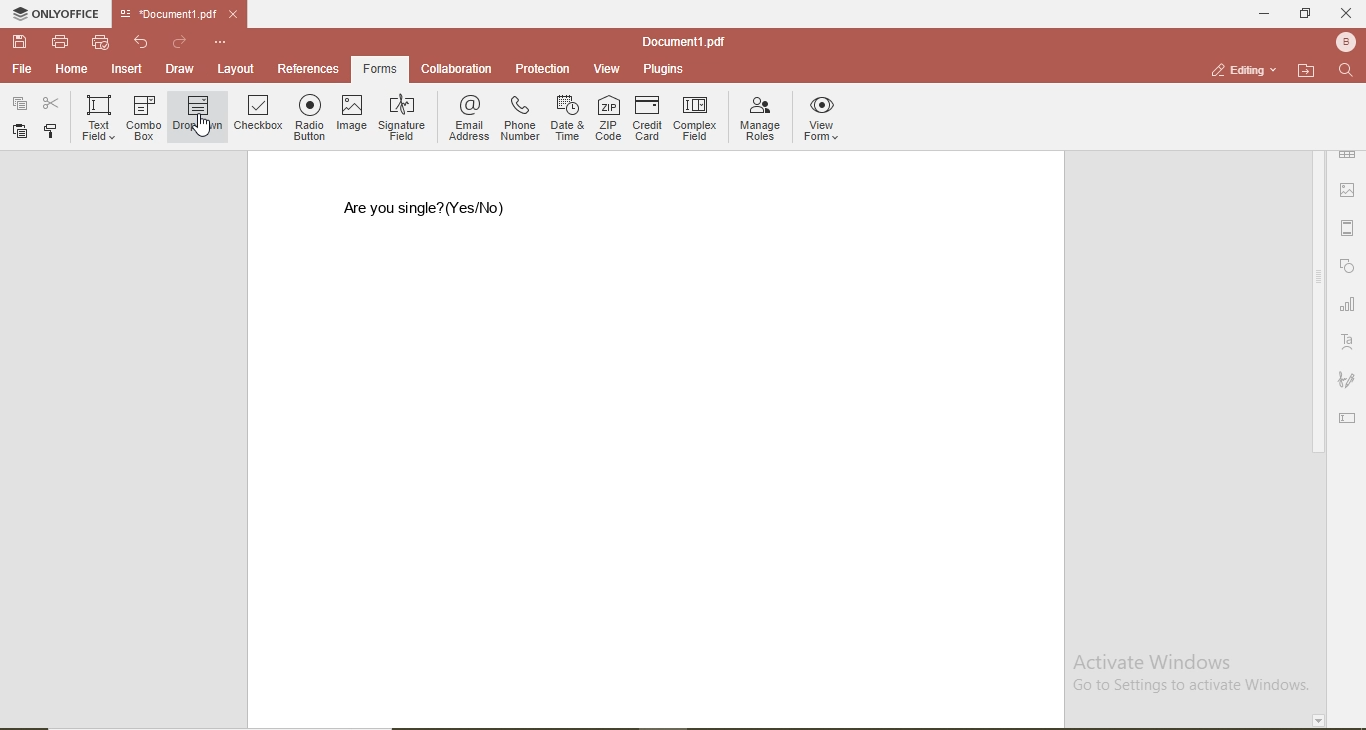 The width and height of the screenshot is (1366, 730). I want to click on protection, so click(544, 68).